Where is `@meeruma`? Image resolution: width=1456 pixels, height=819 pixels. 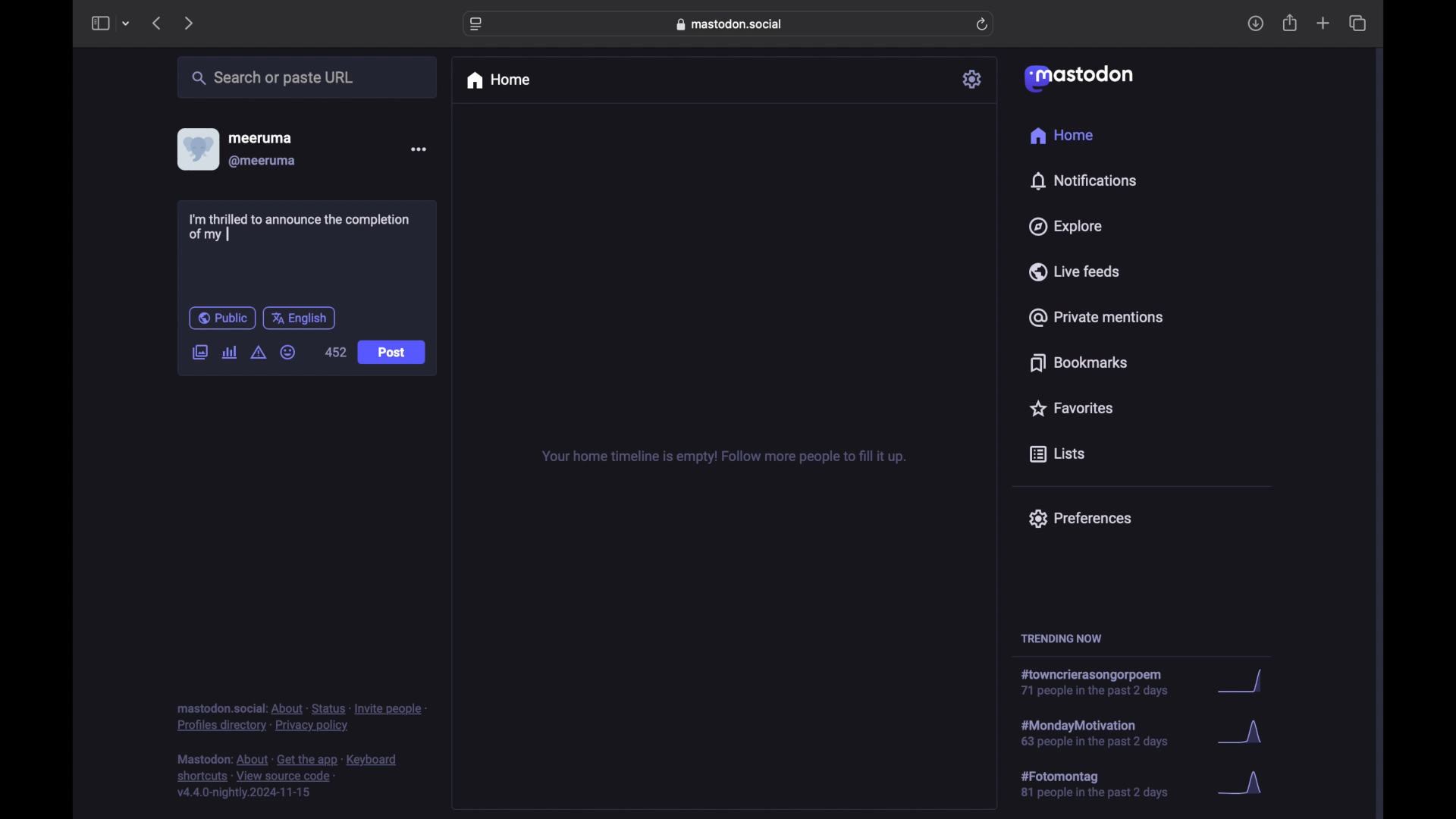 @meeruma is located at coordinates (264, 162).